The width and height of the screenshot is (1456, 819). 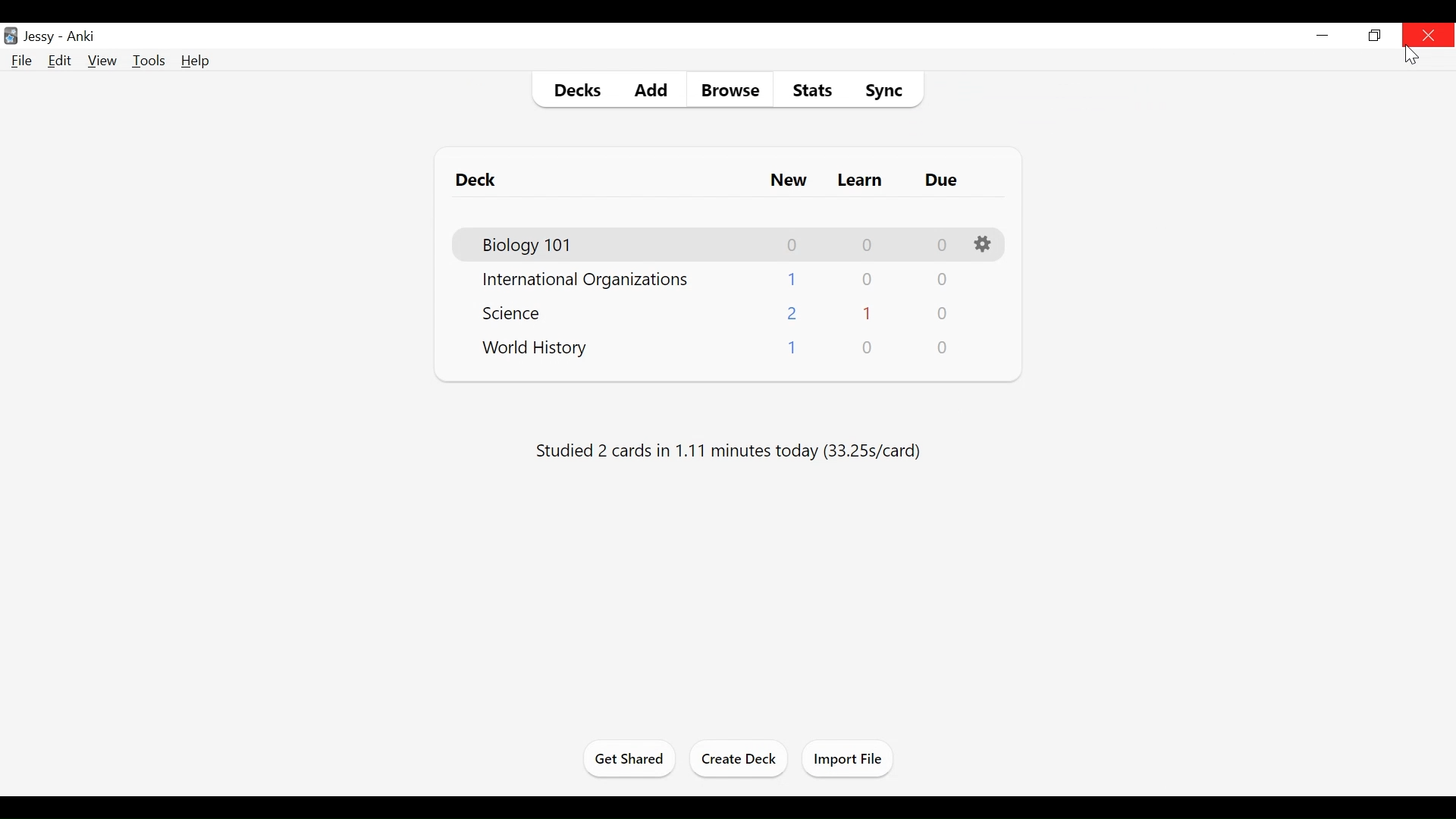 I want to click on Deck Name, so click(x=588, y=281).